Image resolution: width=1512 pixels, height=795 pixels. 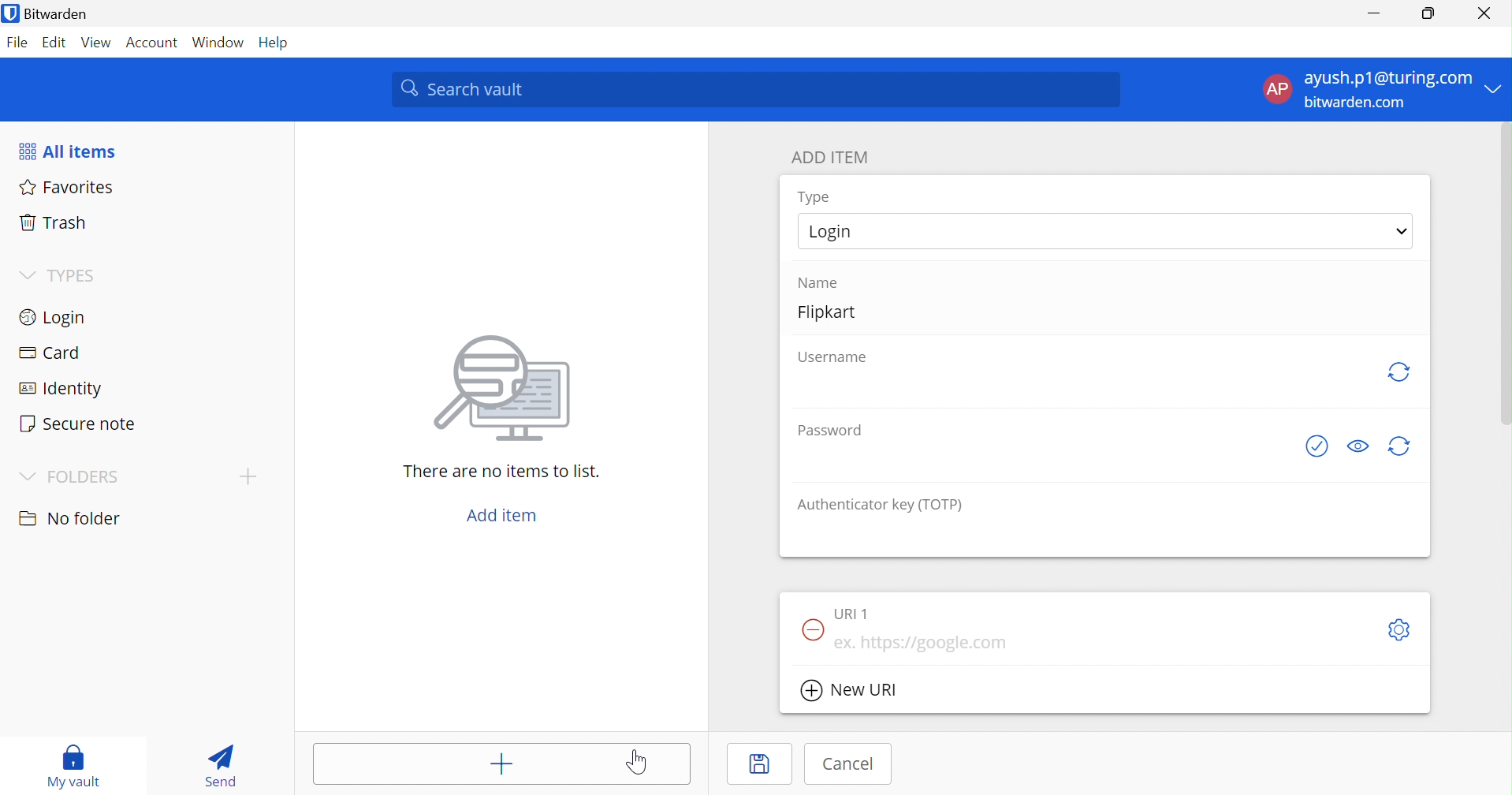 What do you see at coordinates (70, 151) in the screenshot?
I see `All items` at bounding box center [70, 151].